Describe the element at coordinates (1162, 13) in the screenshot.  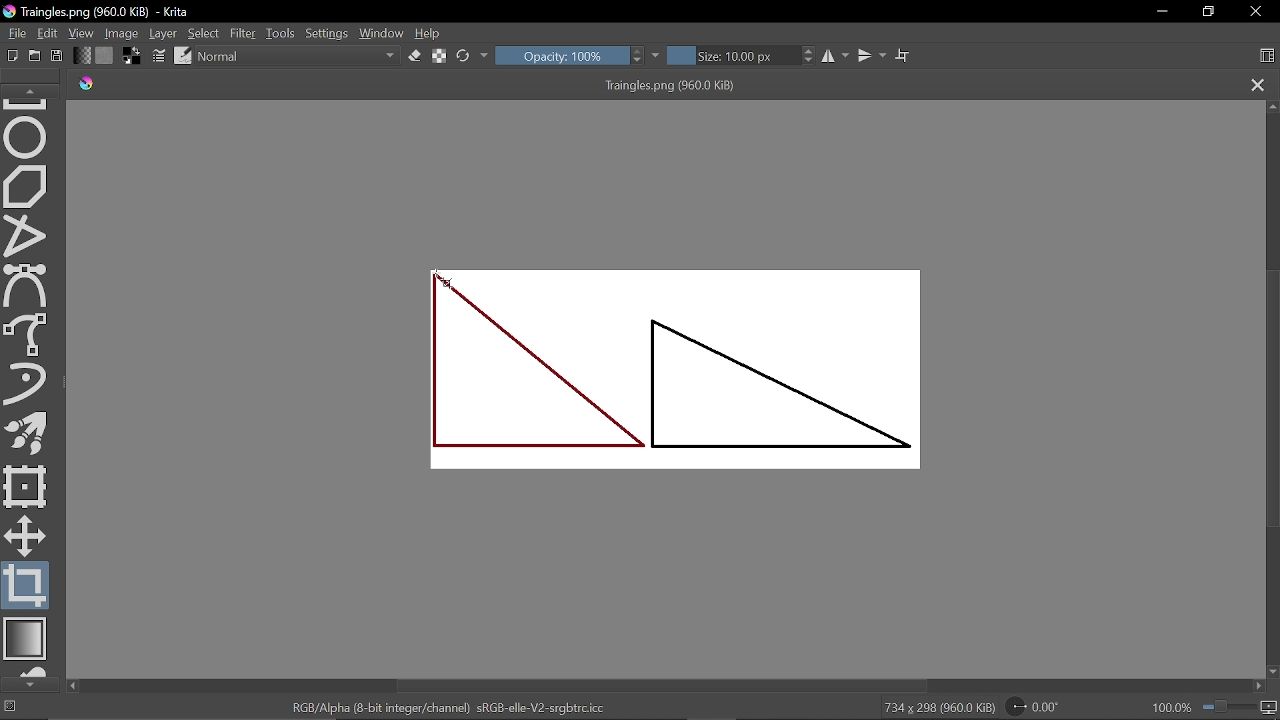
I see `Minimize` at that location.